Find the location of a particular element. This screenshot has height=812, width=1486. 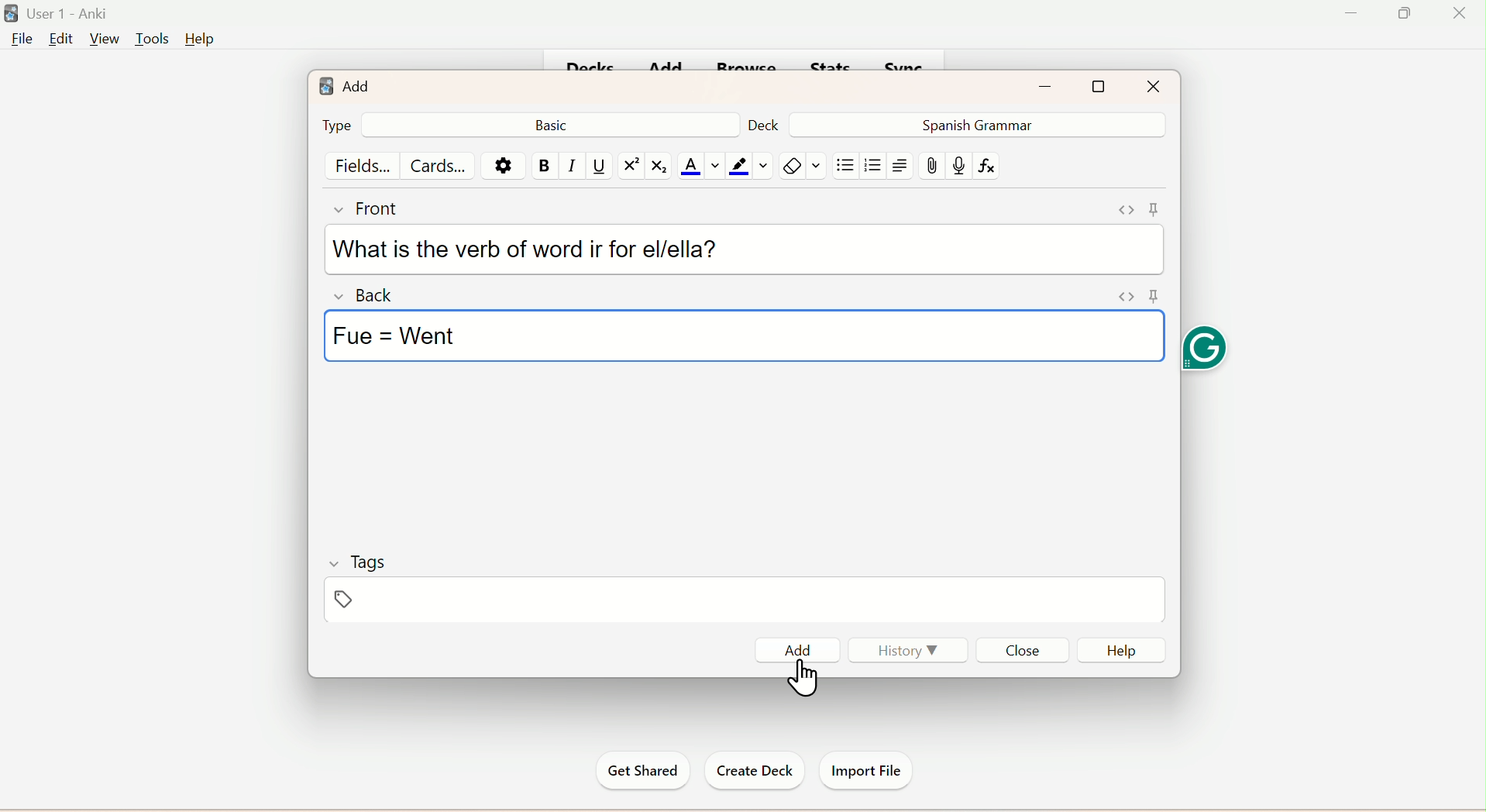

Settings is located at coordinates (500, 165).